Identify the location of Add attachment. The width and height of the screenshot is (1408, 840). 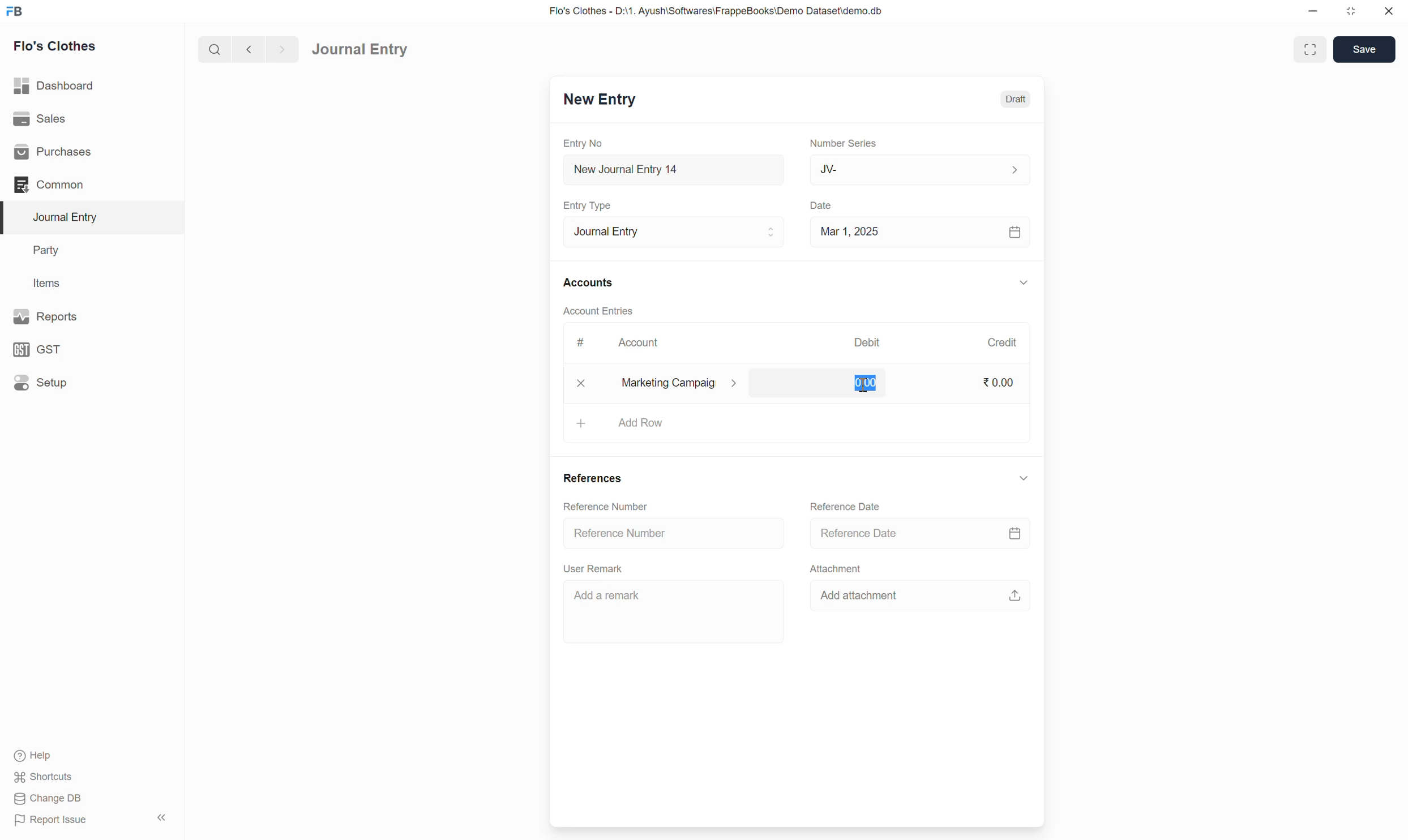
(869, 596).